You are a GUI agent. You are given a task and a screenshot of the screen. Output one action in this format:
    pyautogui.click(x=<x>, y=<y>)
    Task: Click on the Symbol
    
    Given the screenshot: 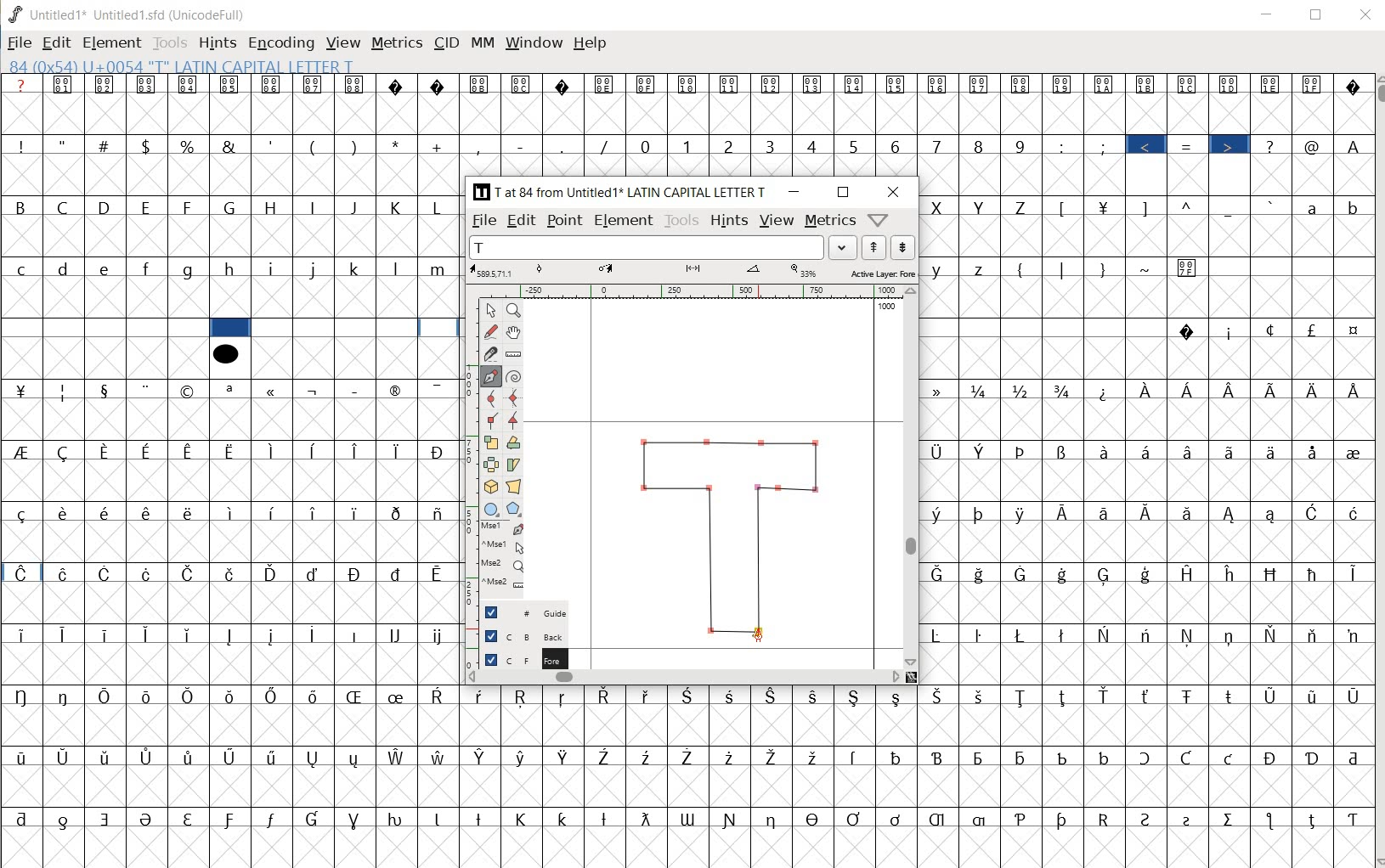 What is the action you would take?
    pyautogui.click(x=1025, y=757)
    